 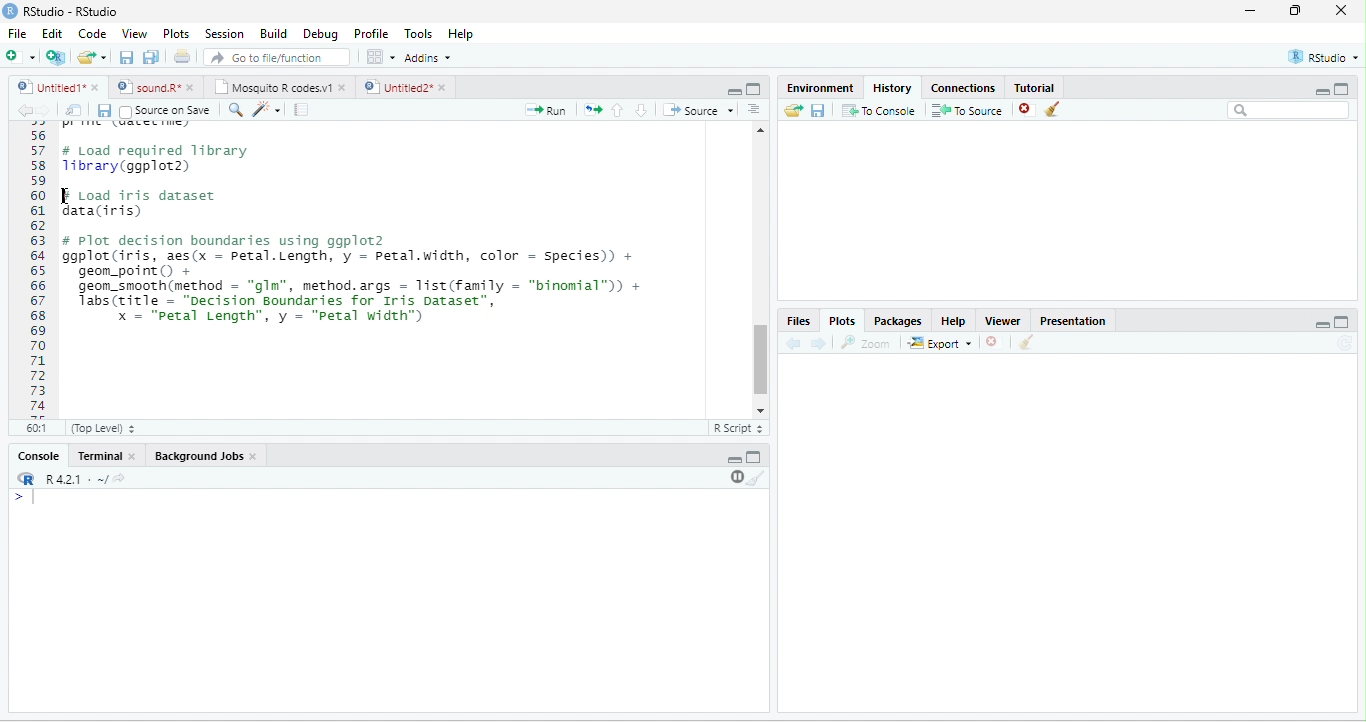 I want to click on maximize, so click(x=754, y=89).